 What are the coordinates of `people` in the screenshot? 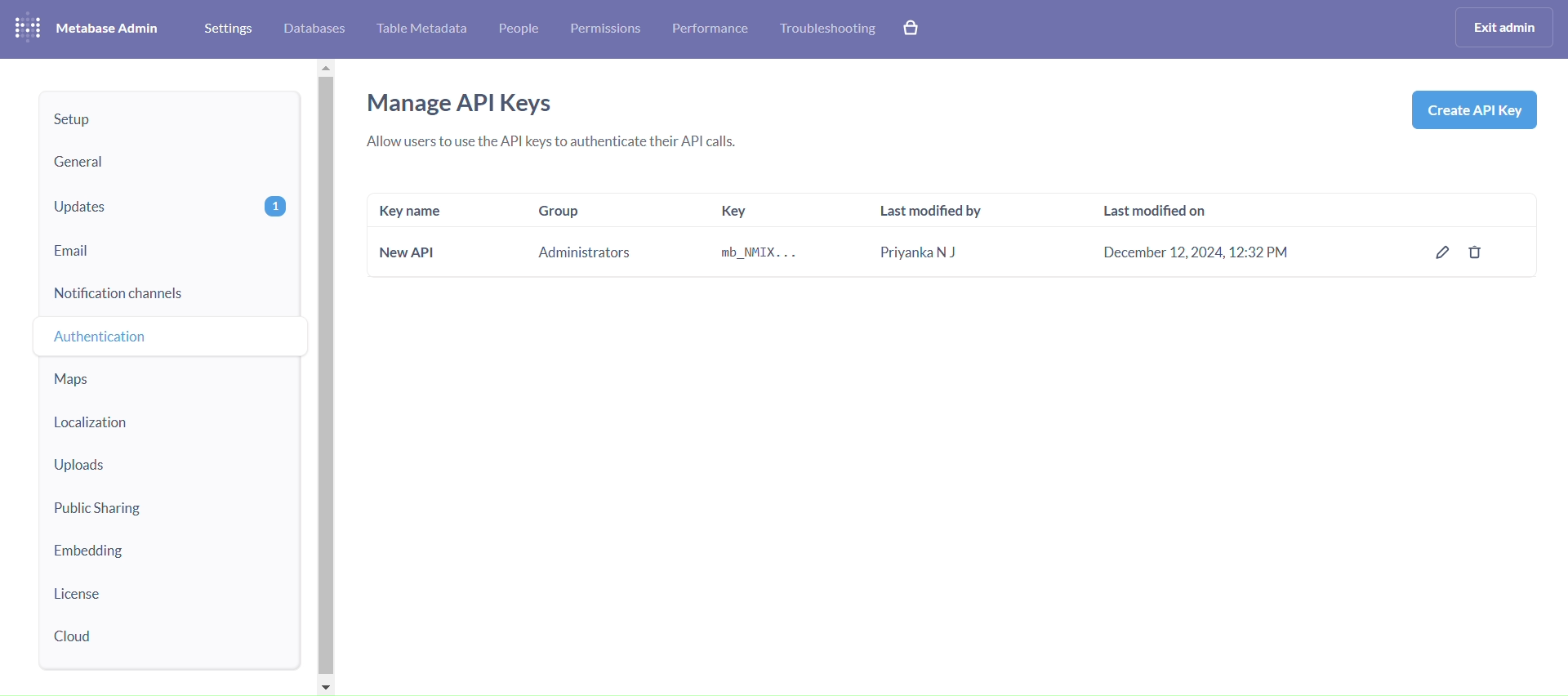 It's located at (520, 30).